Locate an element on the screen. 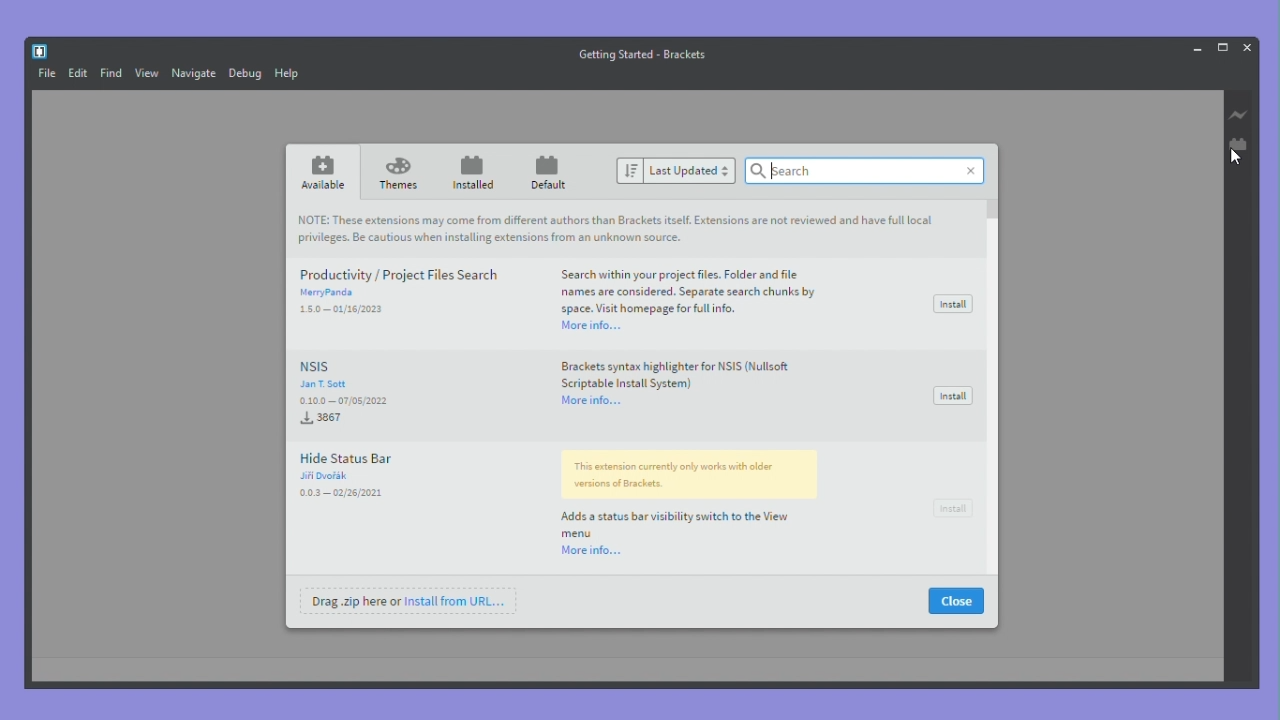  hide status bar is located at coordinates (380, 459).